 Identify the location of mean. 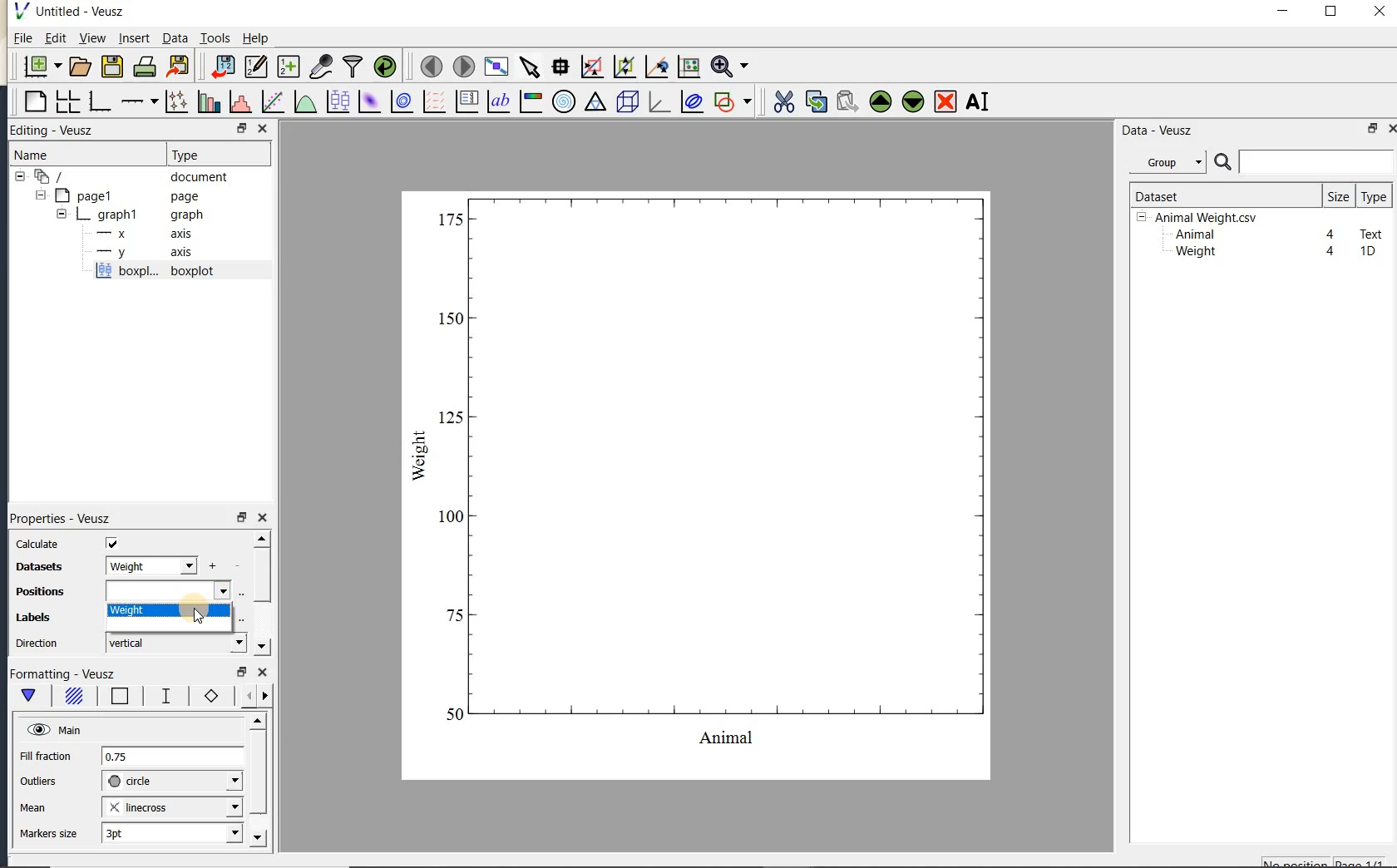
(34, 806).